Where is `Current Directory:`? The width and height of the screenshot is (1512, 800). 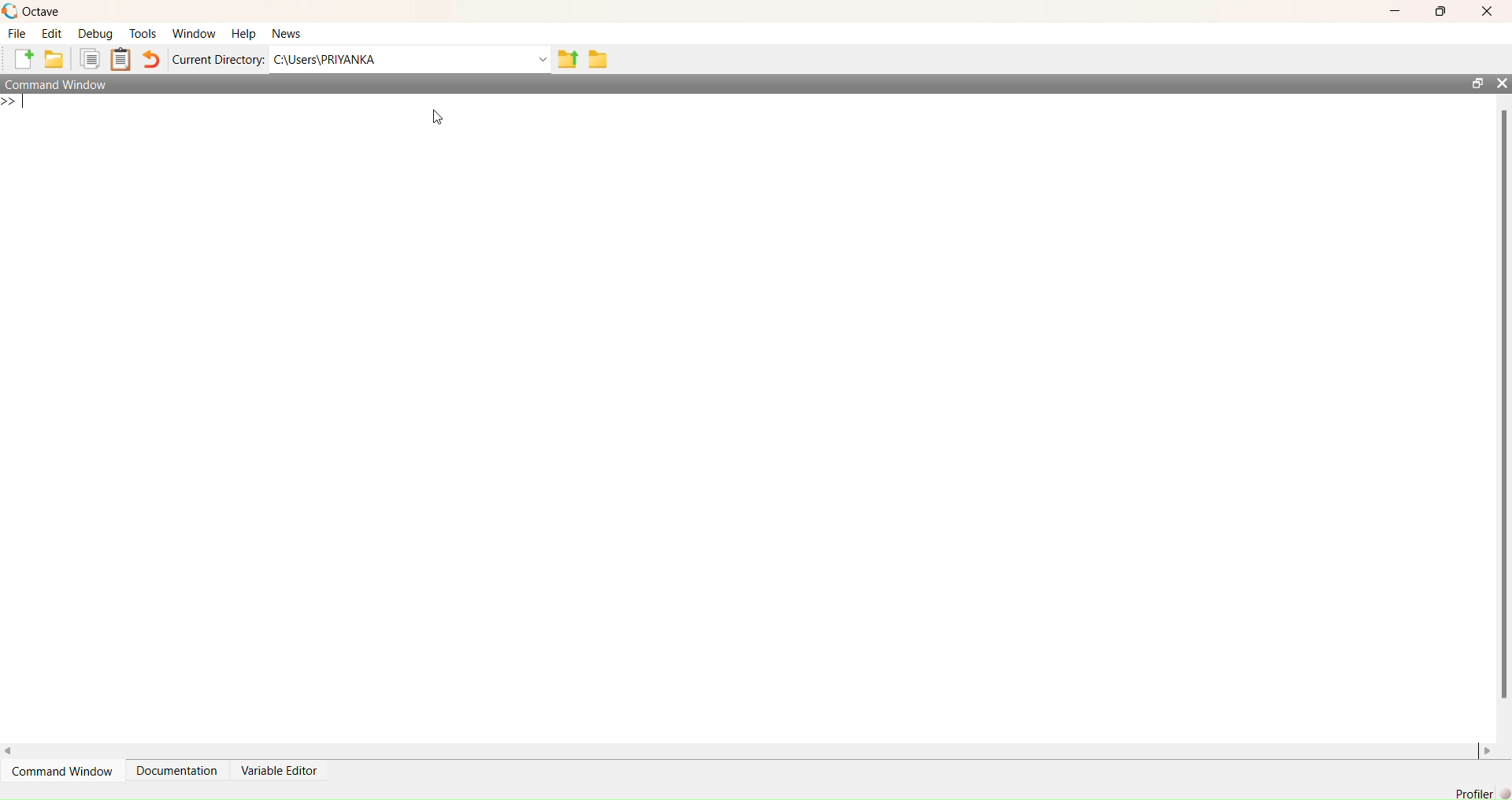
Current Directory: is located at coordinates (219, 61).